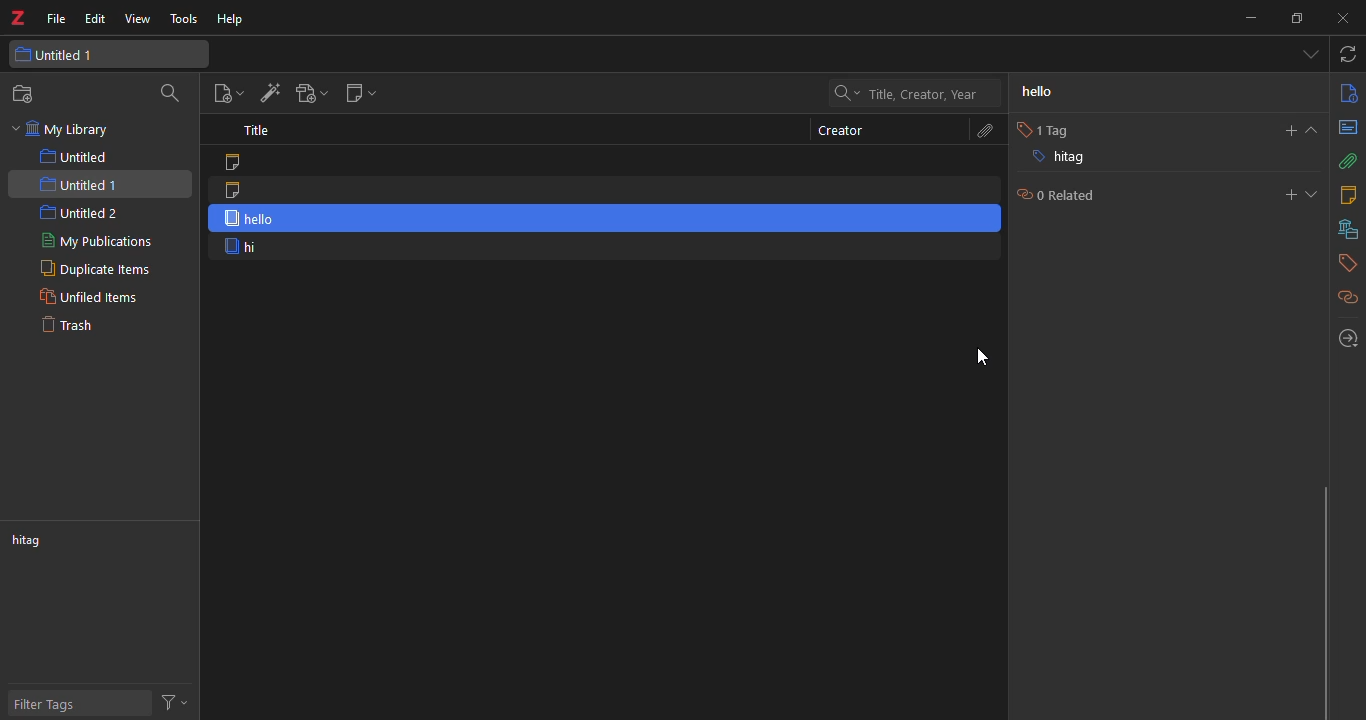 This screenshot has height=720, width=1366. Describe the element at coordinates (1345, 229) in the screenshot. I see `library` at that location.